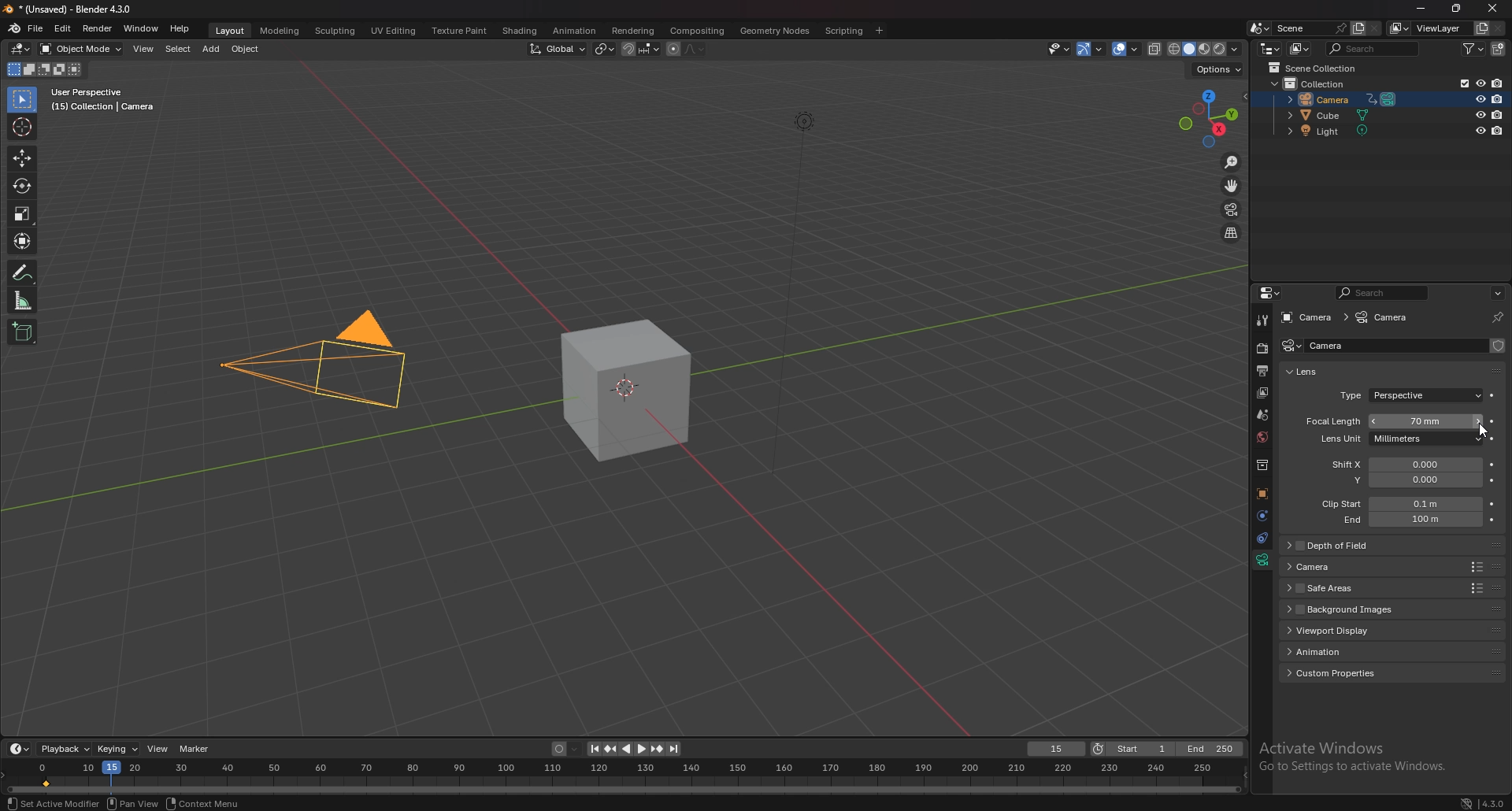 The height and width of the screenshot is (811, 1512). I want to click on animate property, so click(1493, 439).